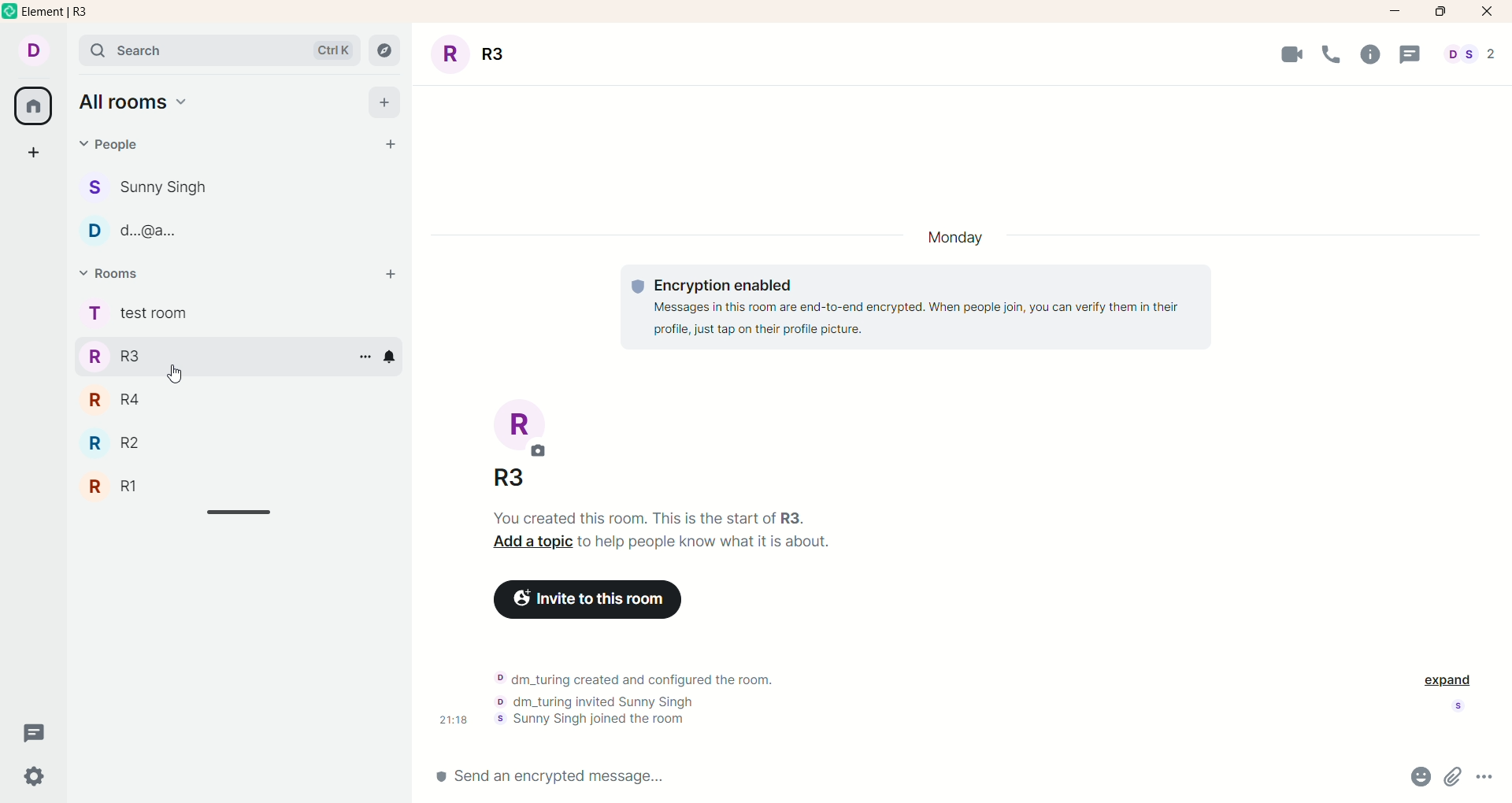 The width and height of the screenshot is (1512, 803). Describe the element at coordinates (1371, 51) in the screenshot. I see `Info` at that location.